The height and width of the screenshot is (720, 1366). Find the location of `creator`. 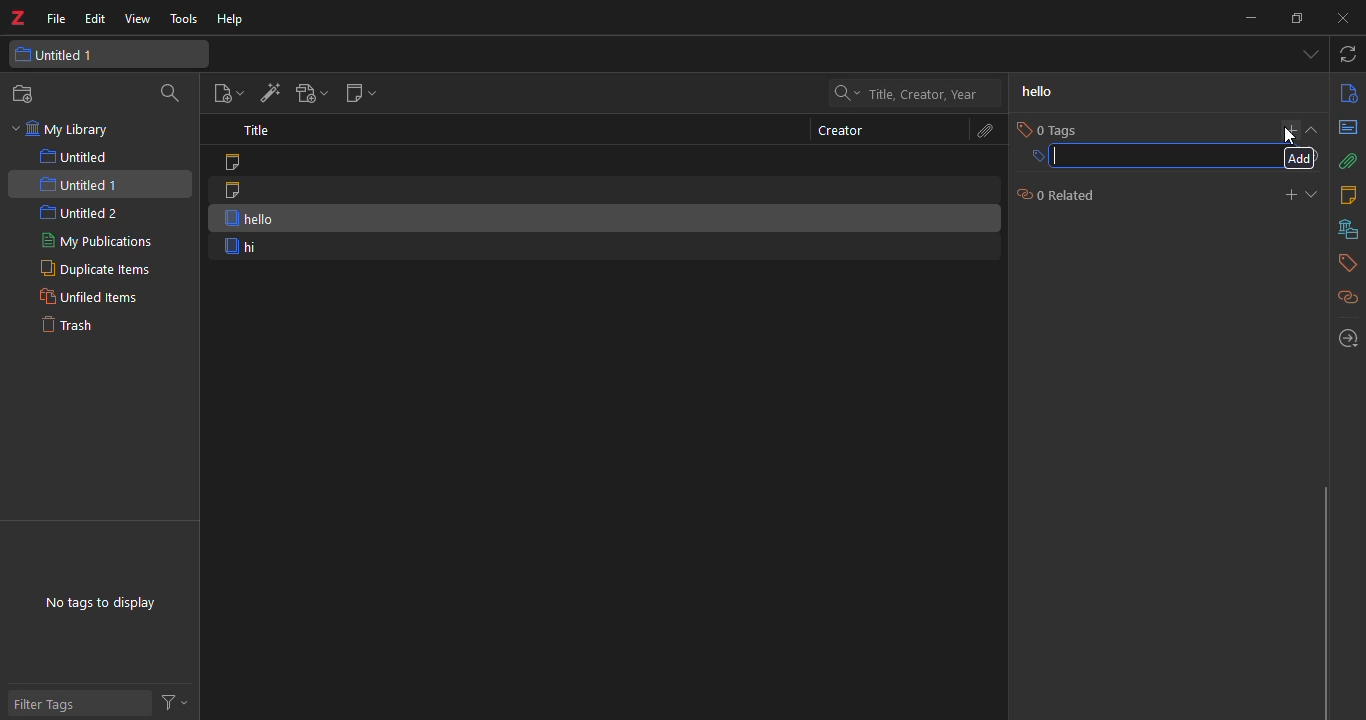

creator is located at coordinates (834, 130).